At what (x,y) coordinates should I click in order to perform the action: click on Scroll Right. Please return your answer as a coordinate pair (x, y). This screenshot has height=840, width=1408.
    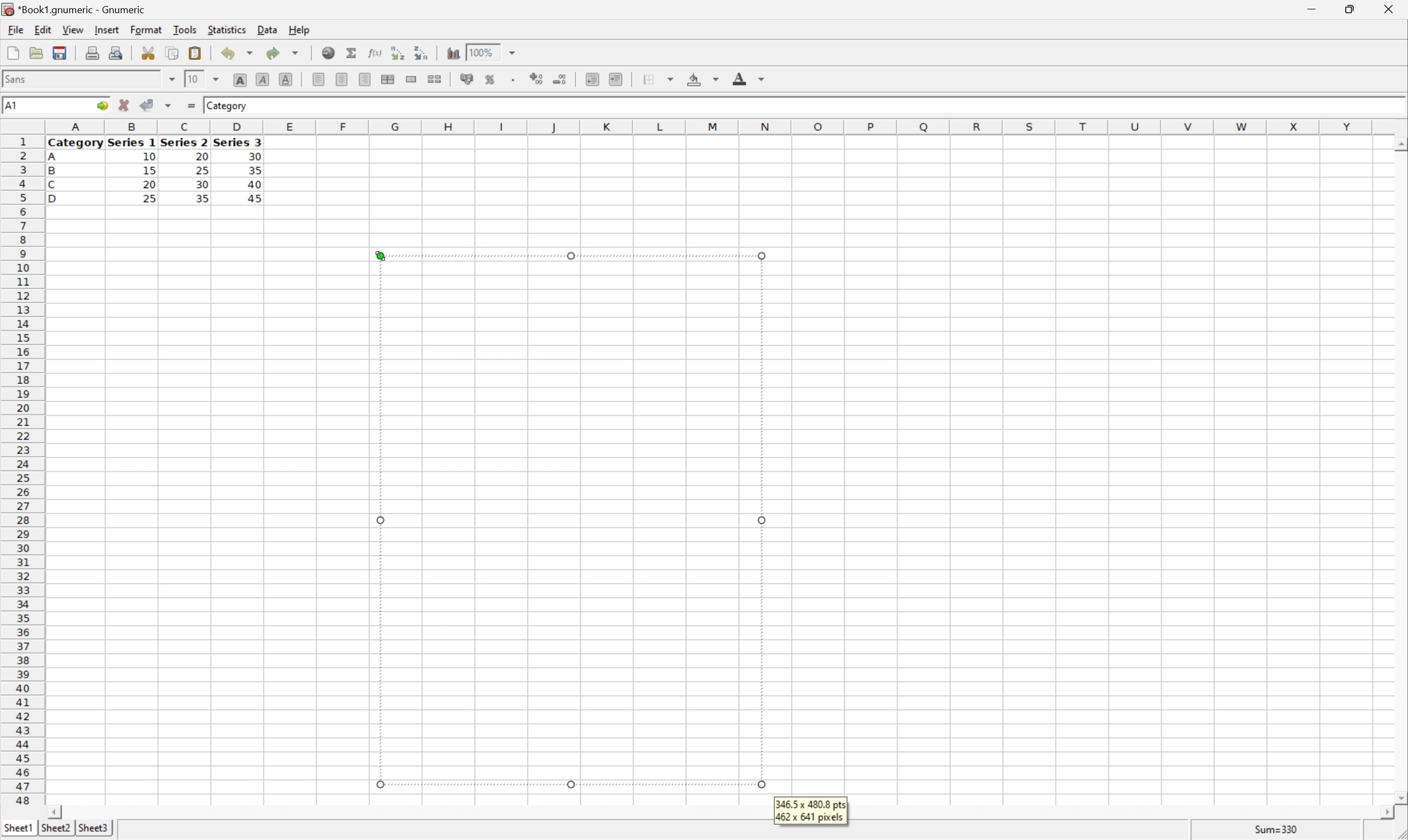
    Looking at the image, I should click on (1383, 813).